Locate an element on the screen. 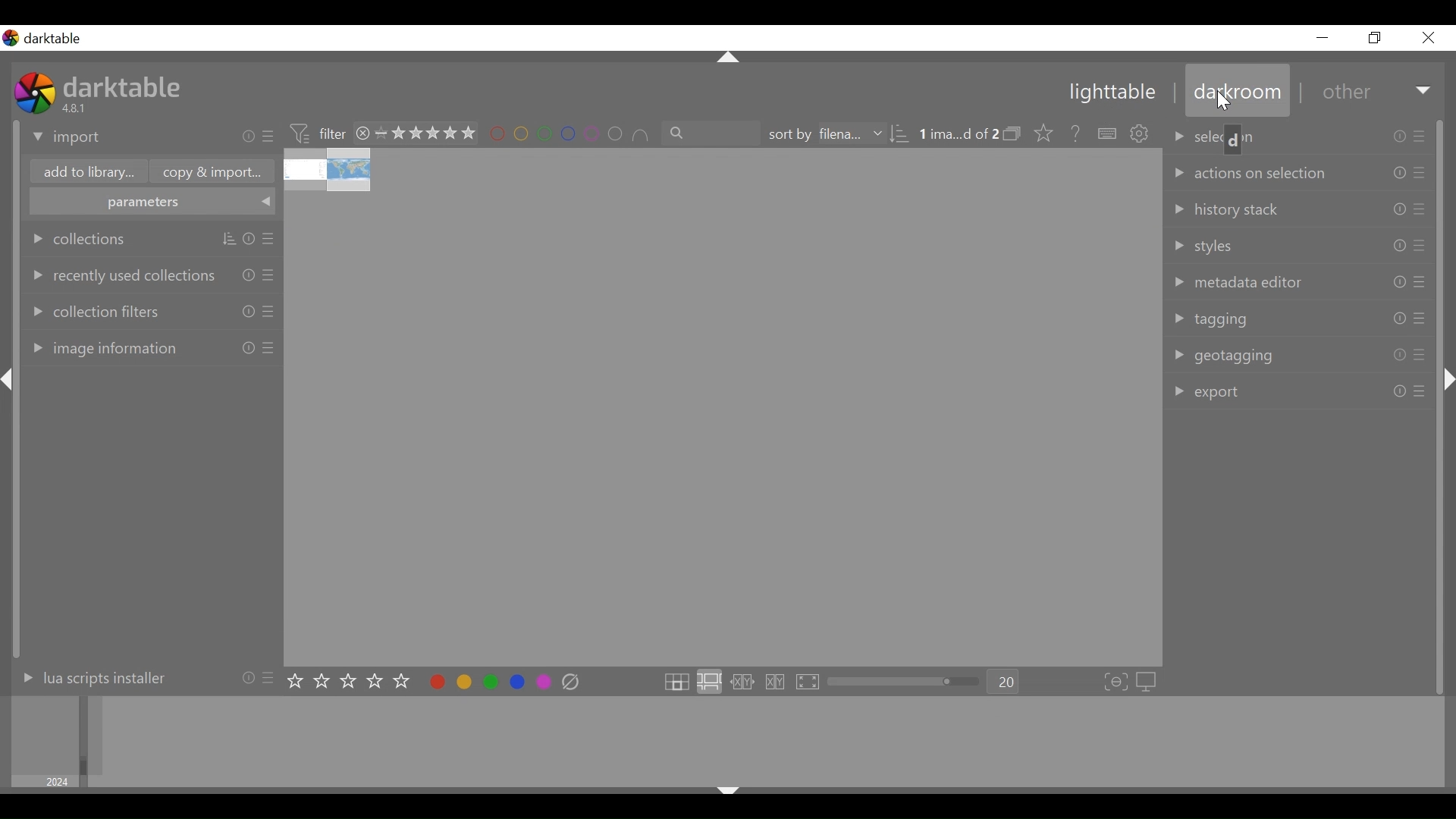   is located at coordinates (1398, 175).